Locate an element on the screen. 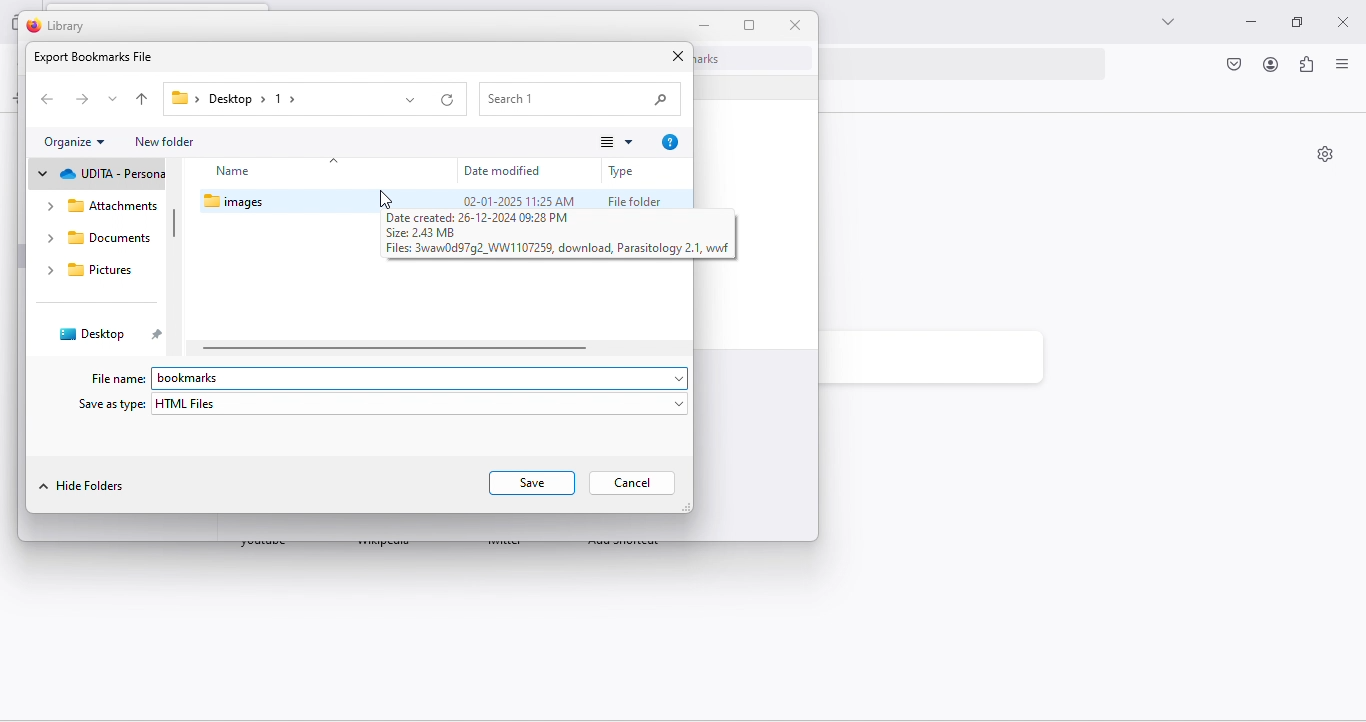  Library is located at coordinates (58, 26).